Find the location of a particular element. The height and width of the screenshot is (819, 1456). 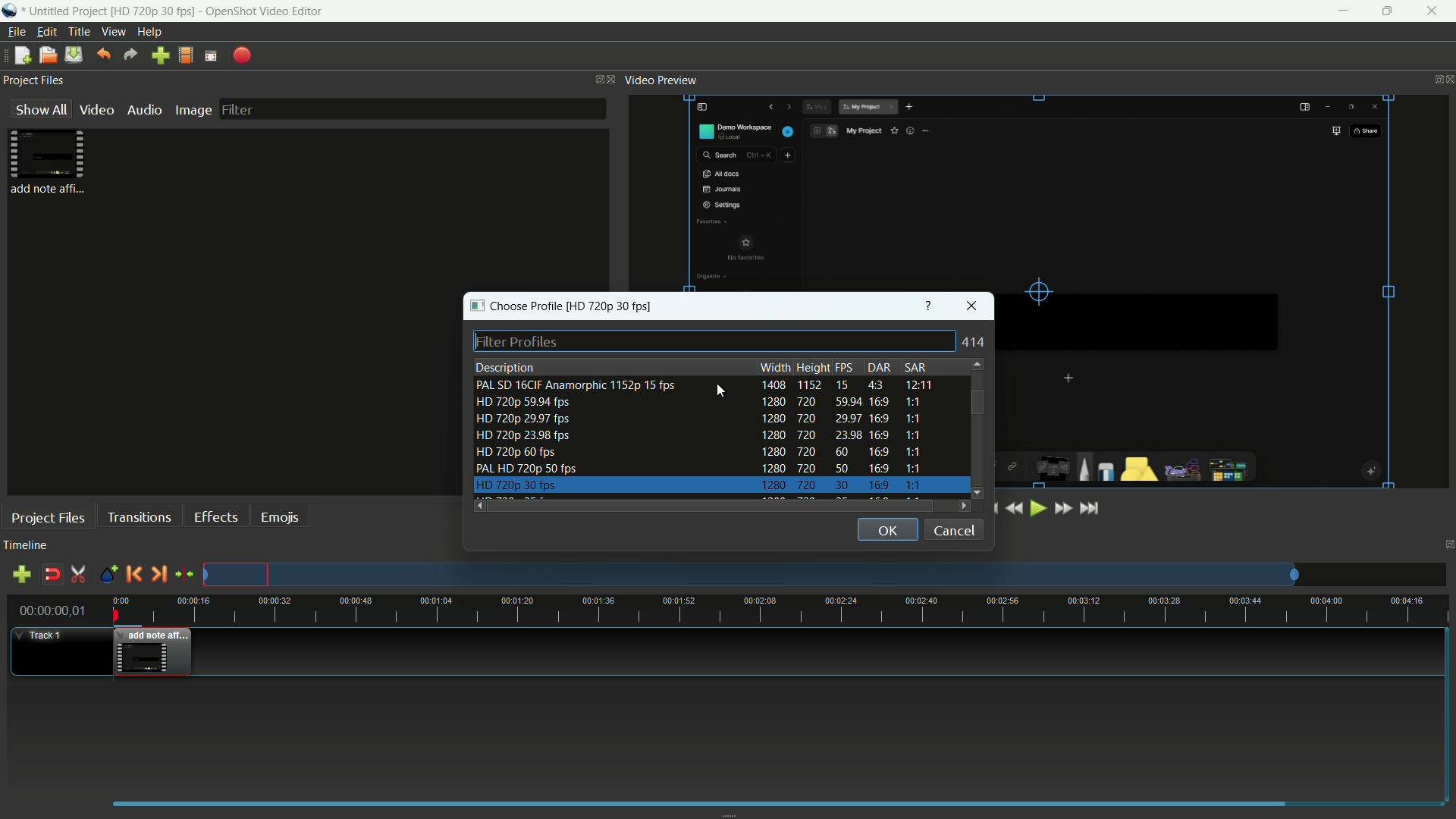

scroll bar is located at coordinates (977, 402).